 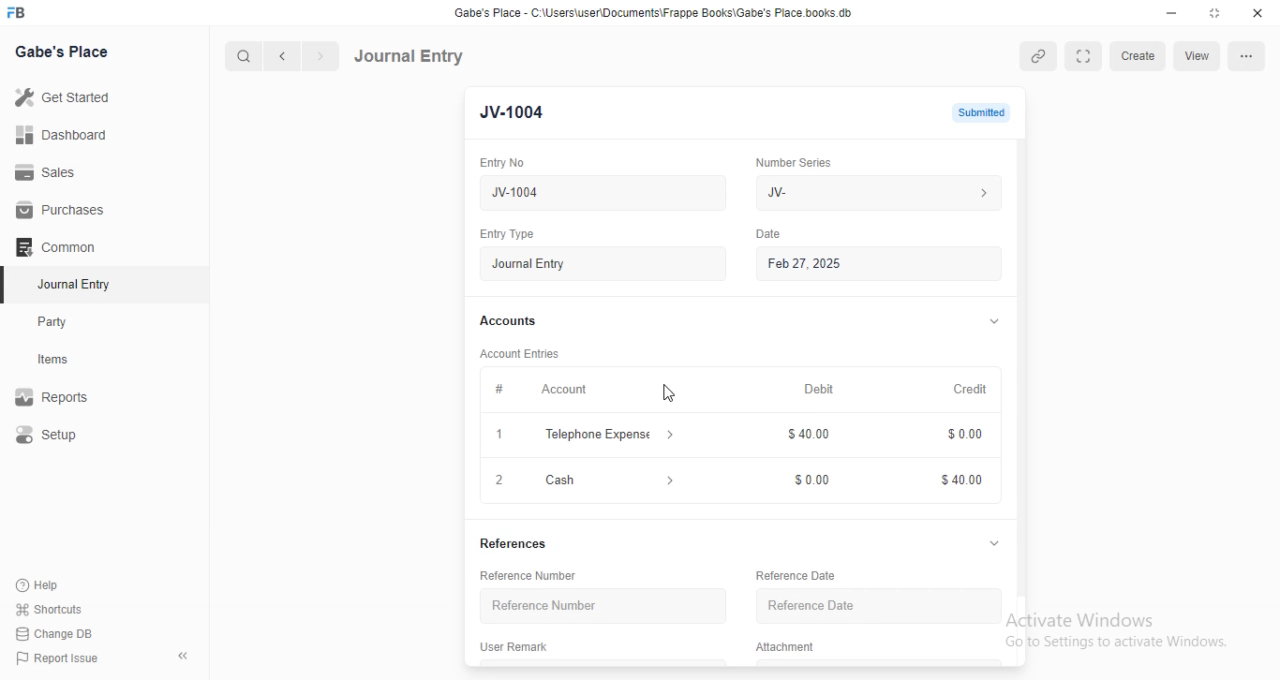 I want to click on Sales, so click(x=49, y=174).